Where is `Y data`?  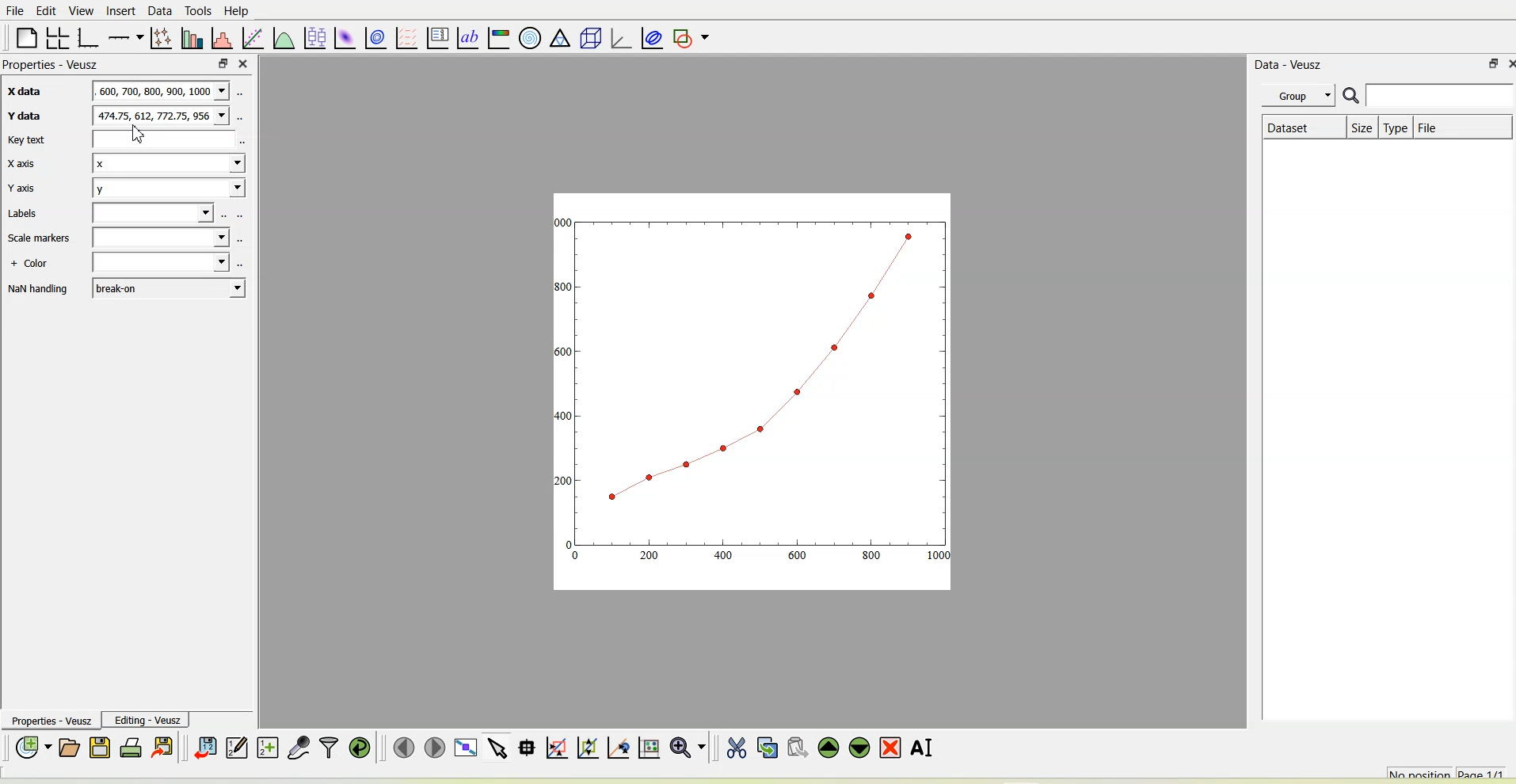 Y data is located at coordinates (27, 118).